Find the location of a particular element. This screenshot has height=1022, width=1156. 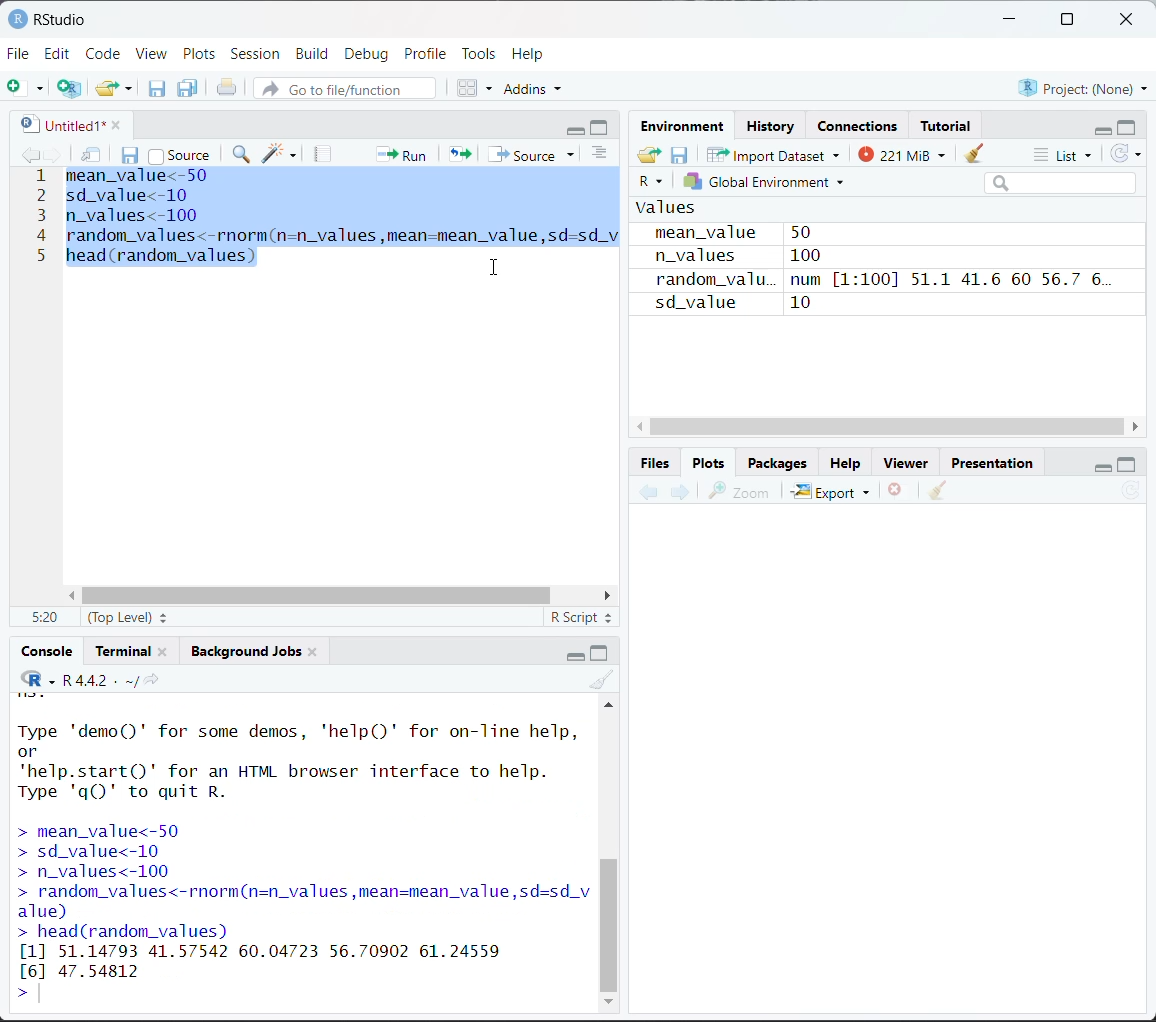

num [1:100] 51.1 41.6 60 56.7 6... is located at coordinates (954, 279).